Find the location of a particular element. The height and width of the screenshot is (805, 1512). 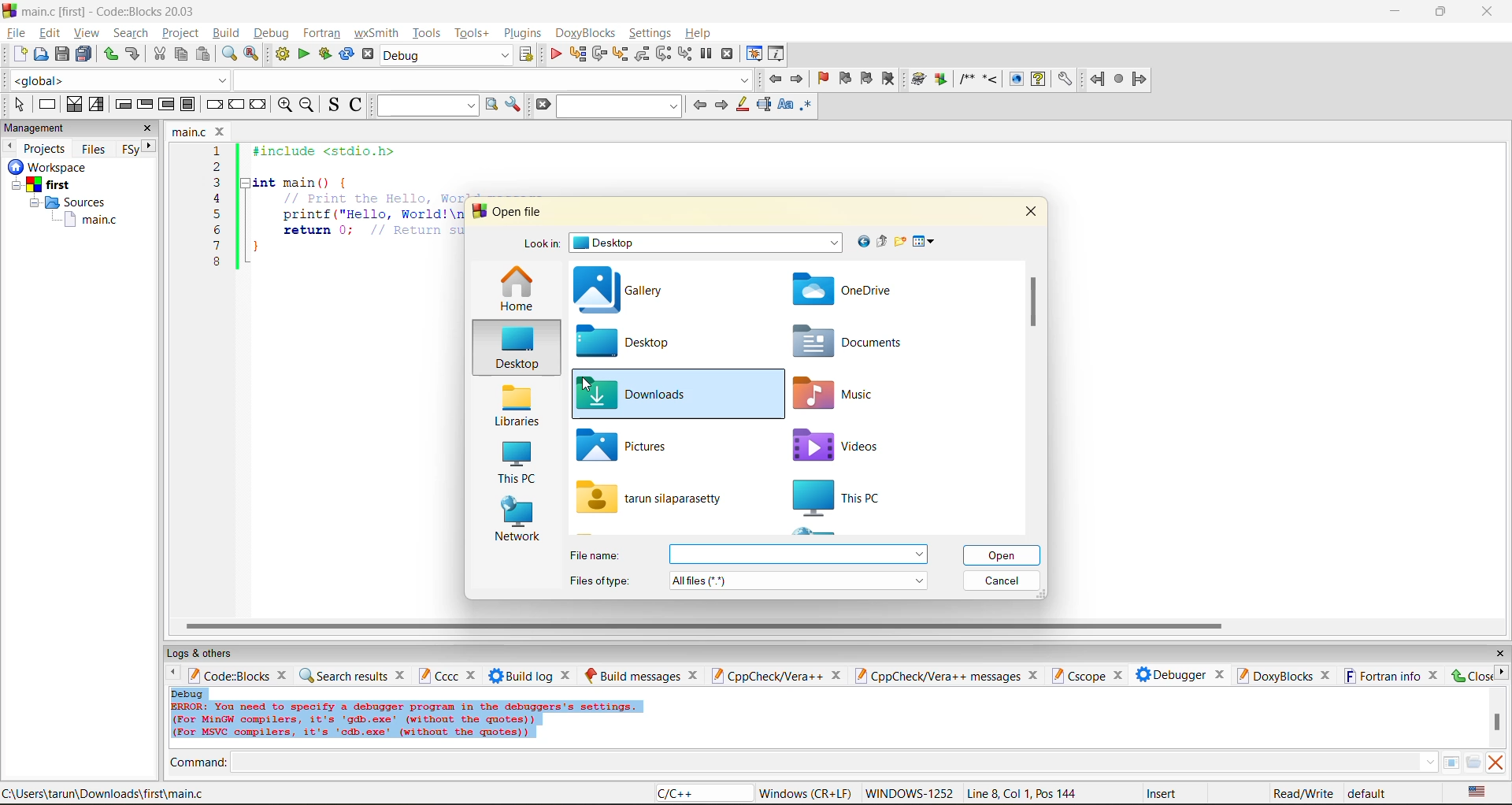

logo is located at coordinates (477, 211).